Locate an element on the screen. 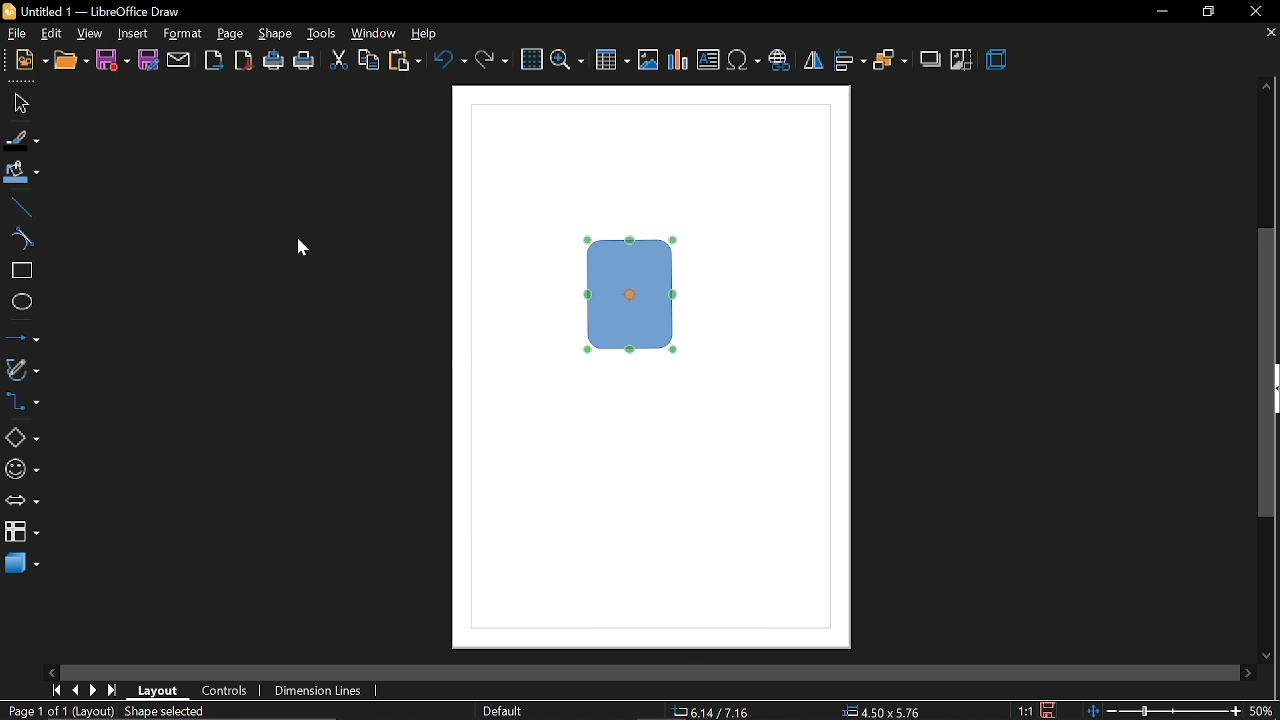  insert chart is located at coordinates (676, 60).